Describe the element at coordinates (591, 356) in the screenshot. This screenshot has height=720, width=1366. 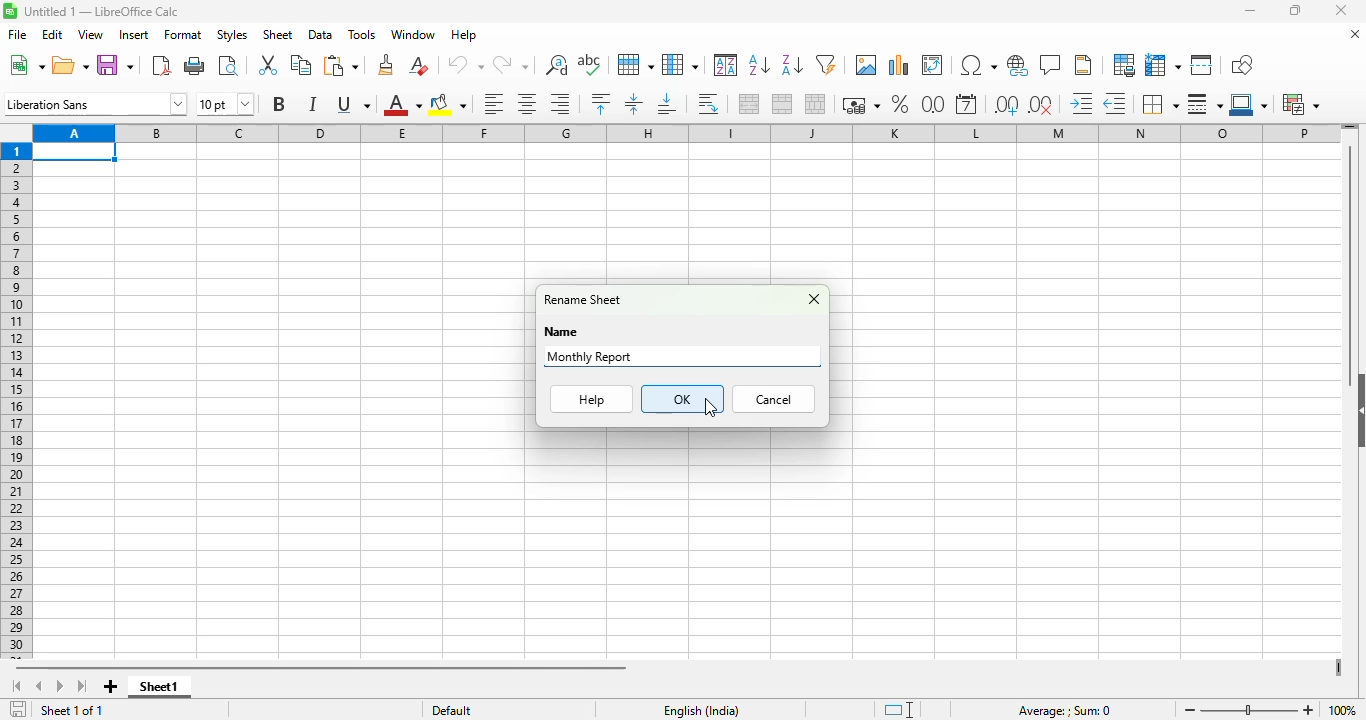
I see `Monthly Report` at that location.